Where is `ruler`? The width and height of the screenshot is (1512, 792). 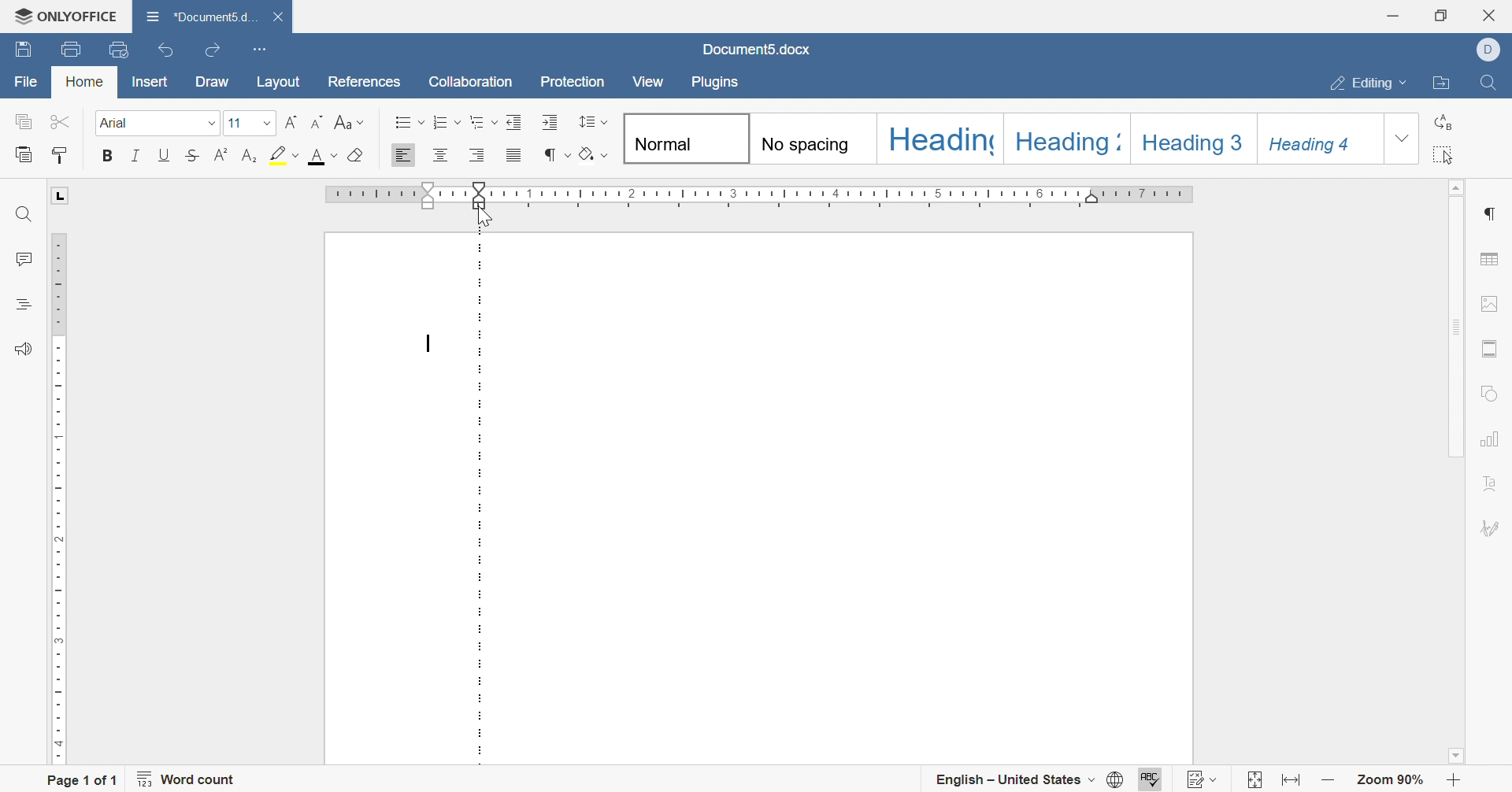 ruler is located at coordinates (396, 196).